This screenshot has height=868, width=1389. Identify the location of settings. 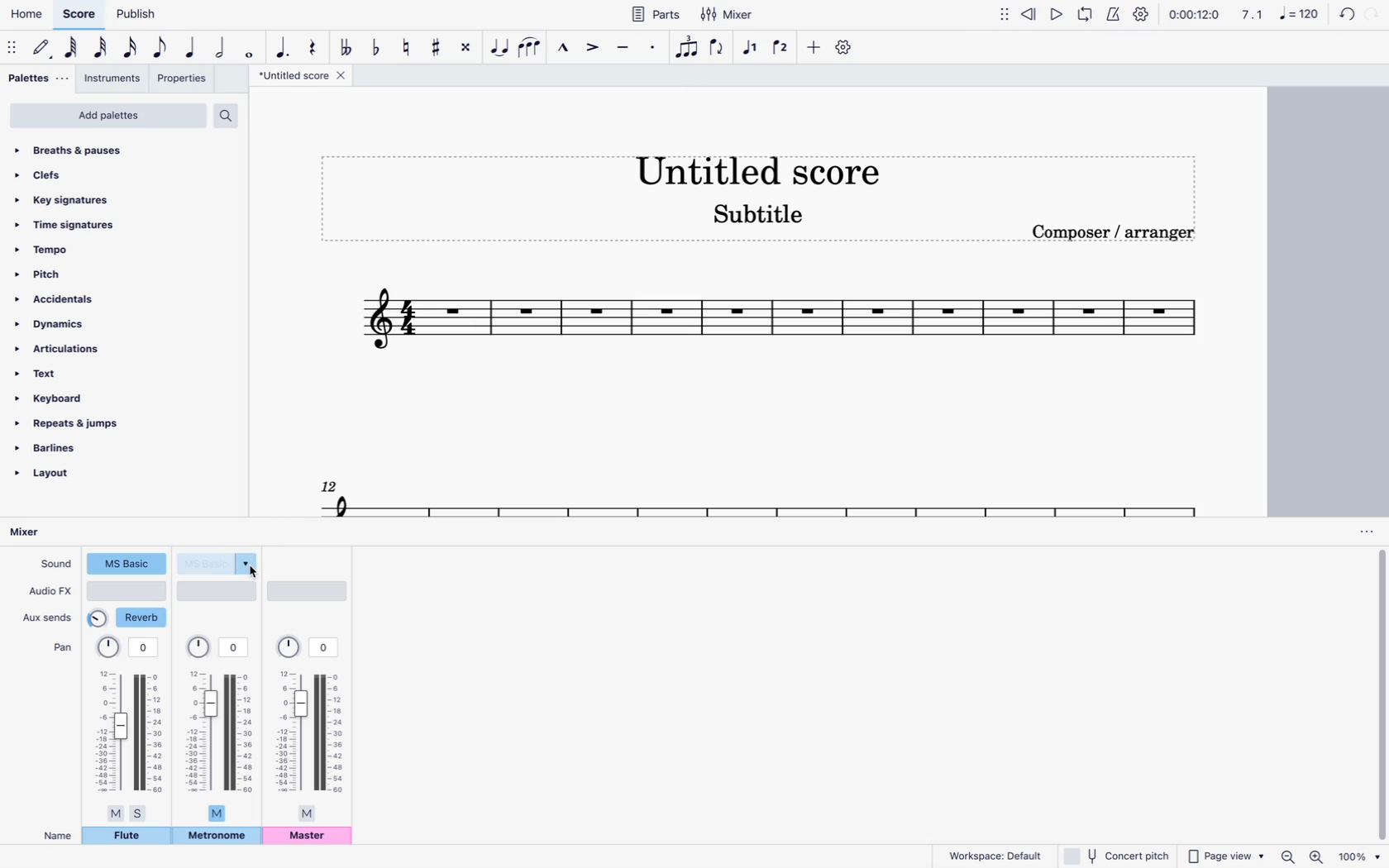
(845, 48).